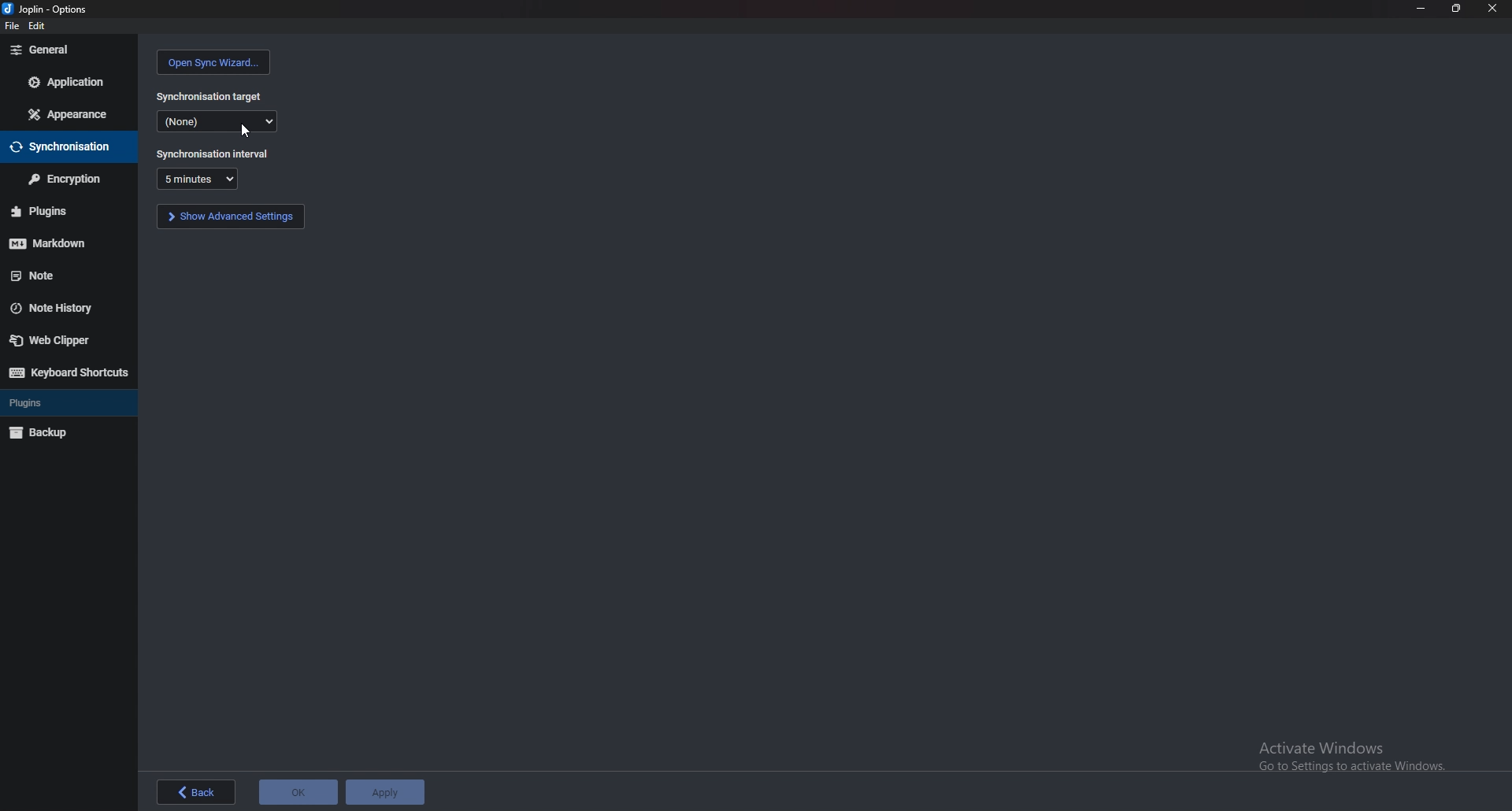  What do you see at coordinates (65, 273) in the screenshot?
I see `note` at bounding box center [65, 273].